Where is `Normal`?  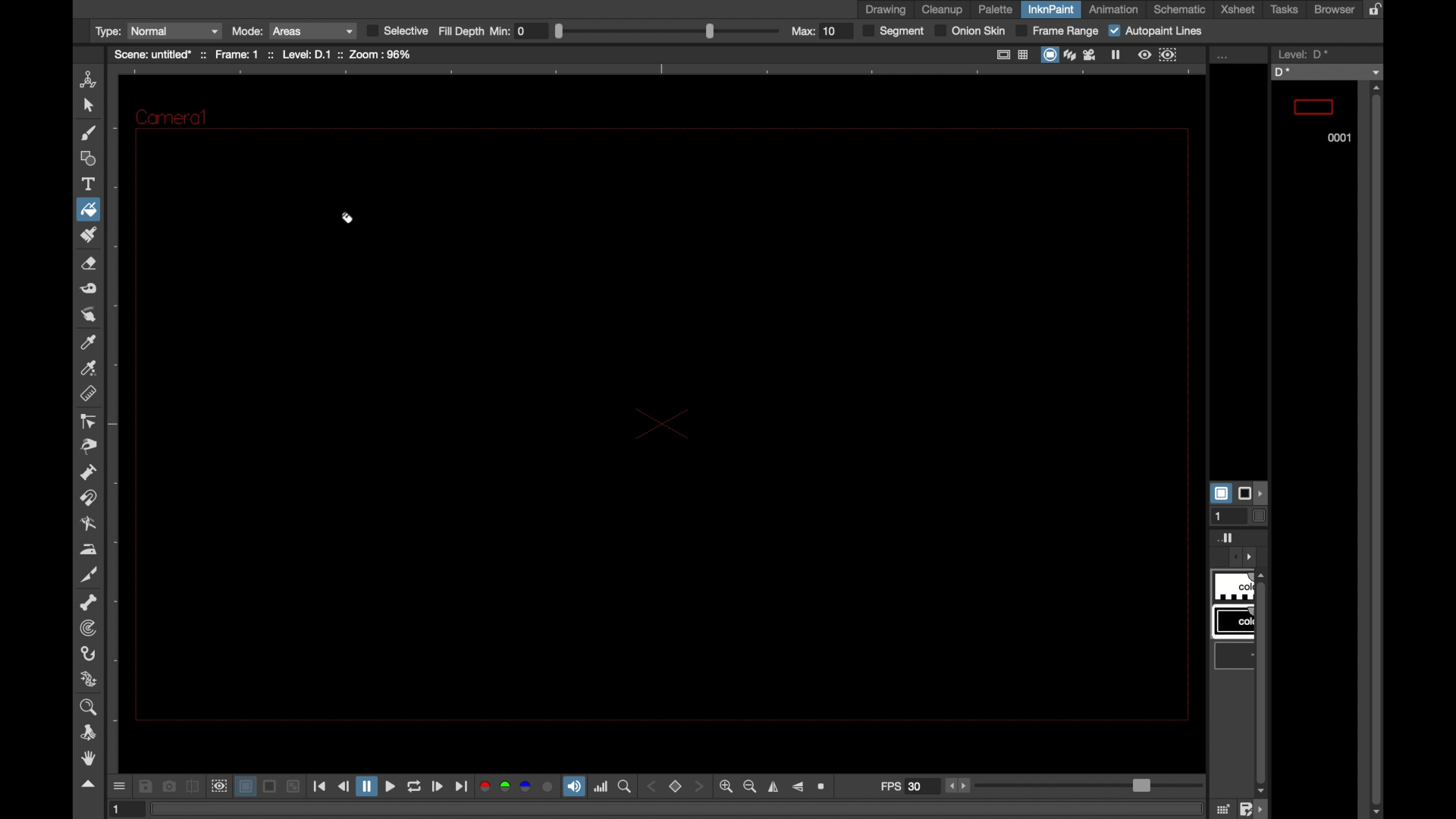
Normal is located at coordinates (176, 30).